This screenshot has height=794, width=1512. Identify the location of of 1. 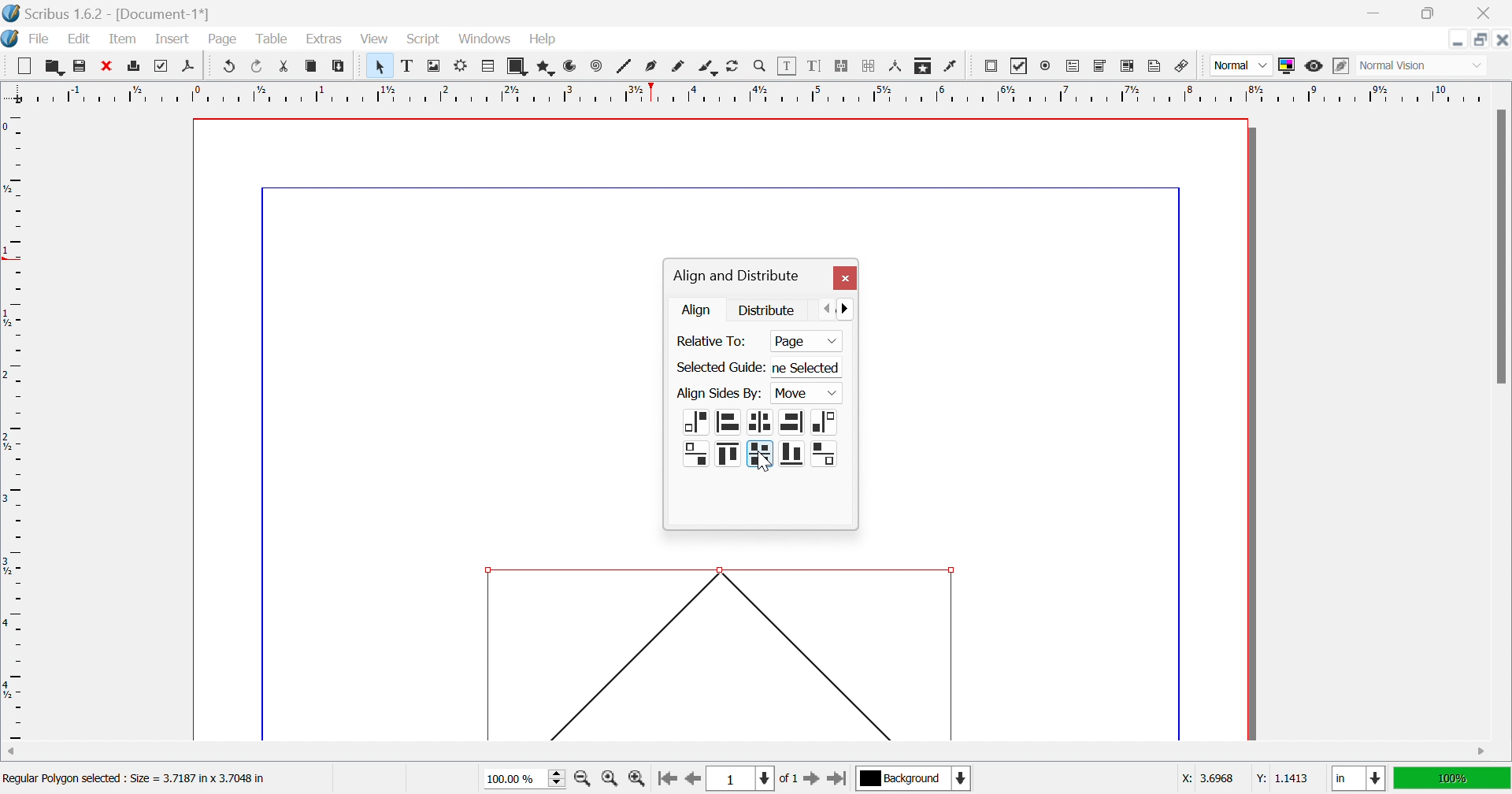
(787, 780).